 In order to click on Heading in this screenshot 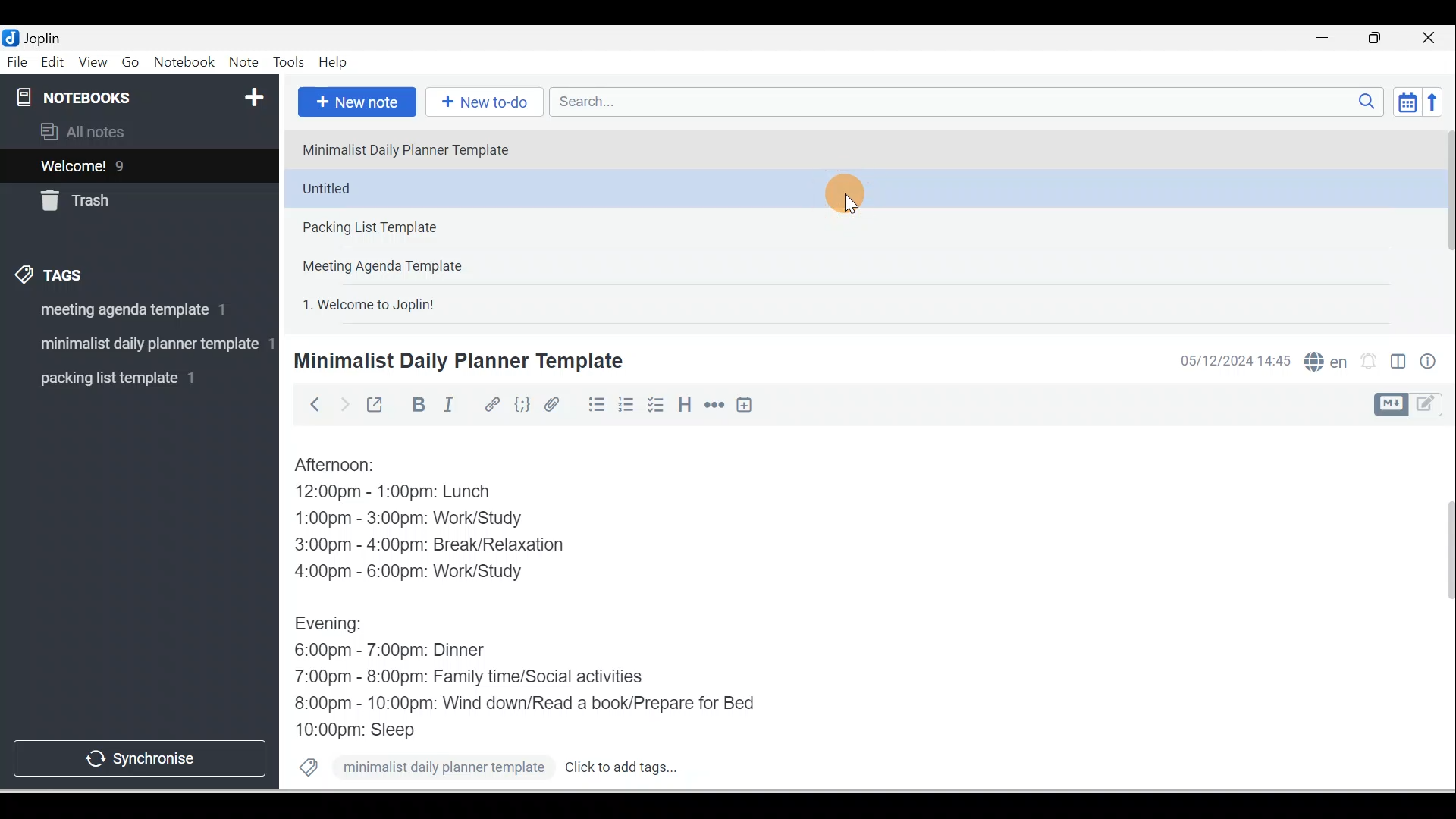, I will do `click(684, 403)`.